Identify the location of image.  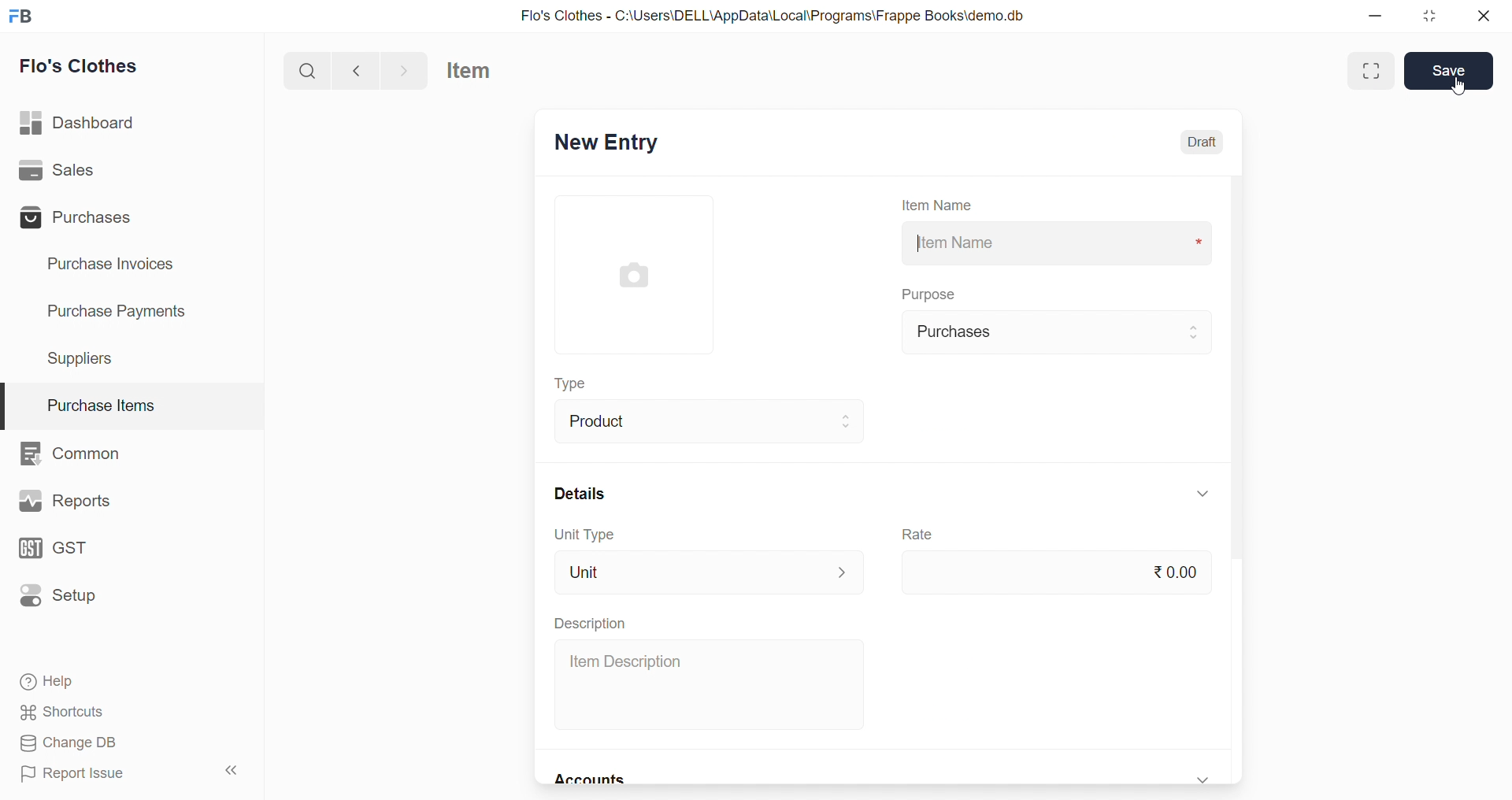
(637, 275).